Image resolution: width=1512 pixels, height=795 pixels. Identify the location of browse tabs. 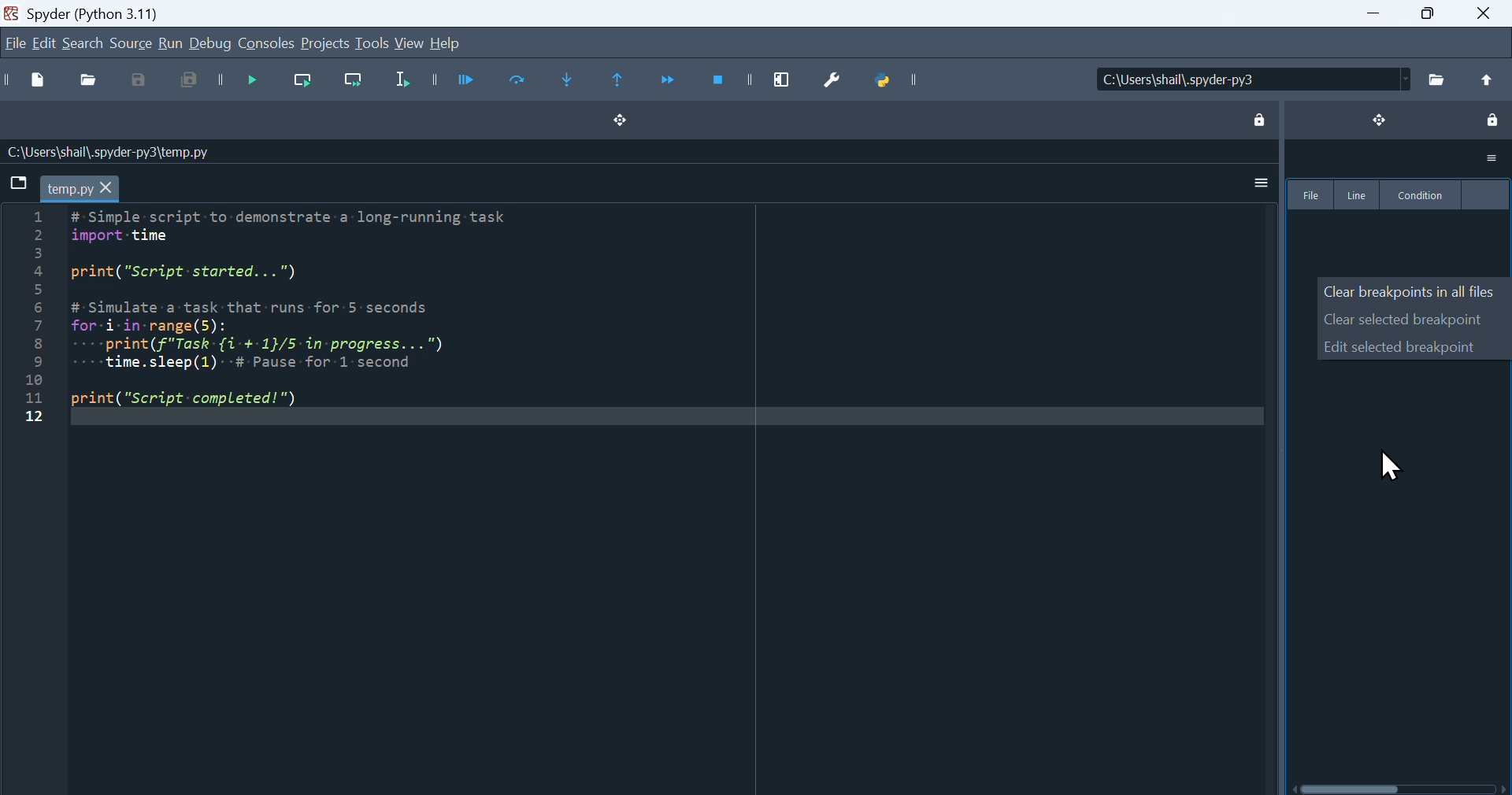
(18, 182).